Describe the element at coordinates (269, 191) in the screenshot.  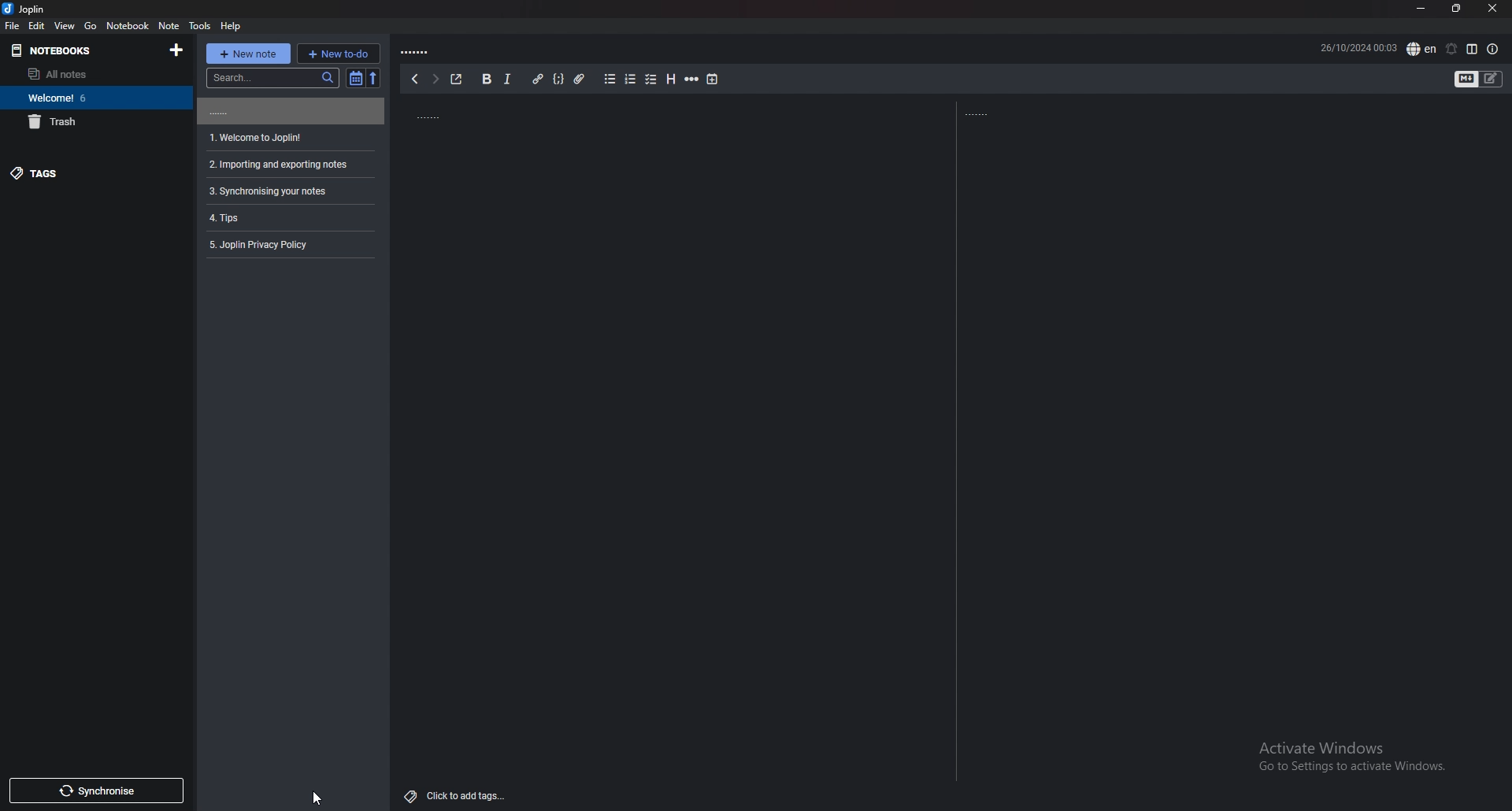
I see `3. Synchronising your notes` at that location.